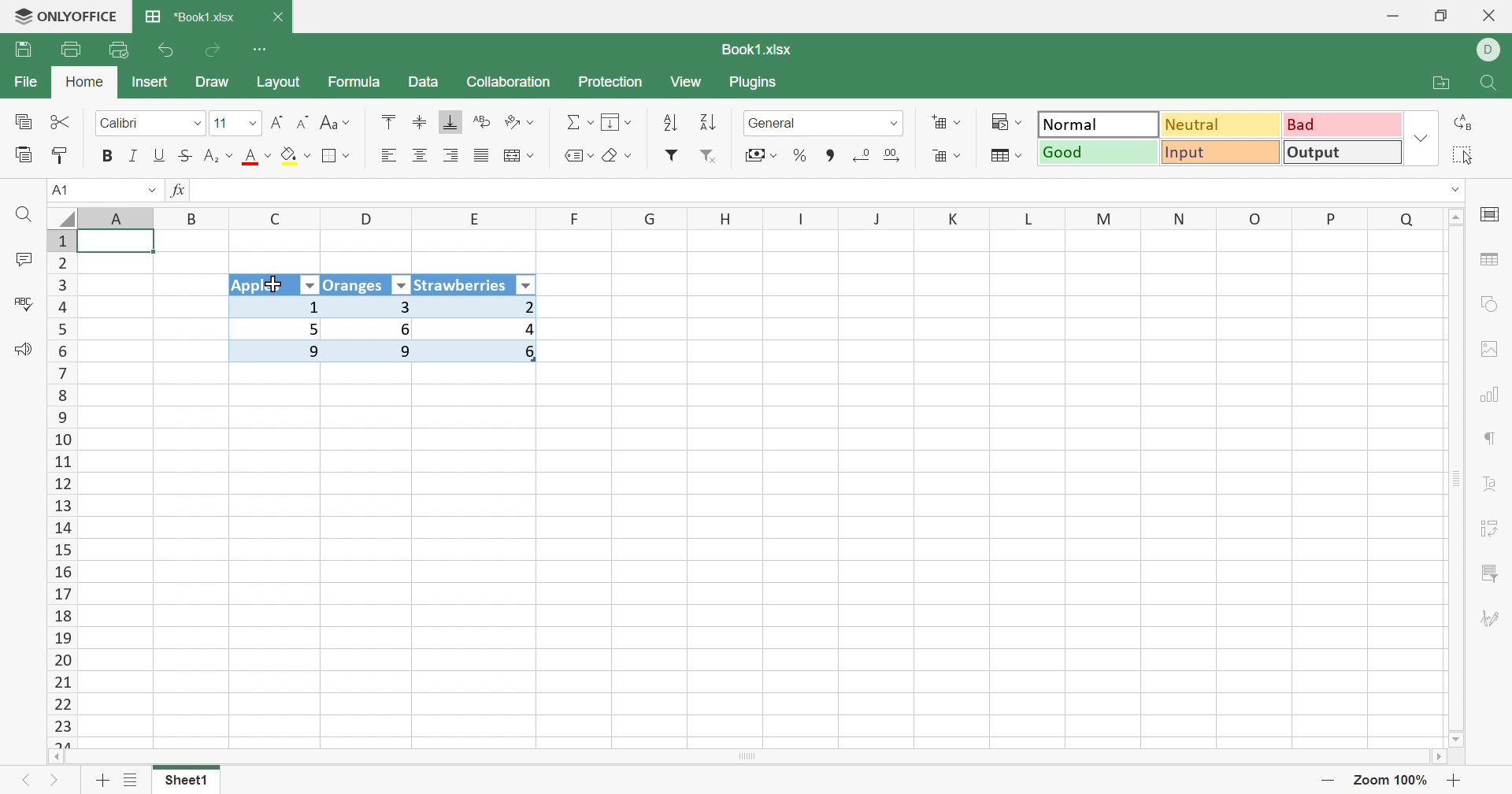 The height and width of the screenshot is (794, 1512). I want to click on Orientation, so click(522, 122).